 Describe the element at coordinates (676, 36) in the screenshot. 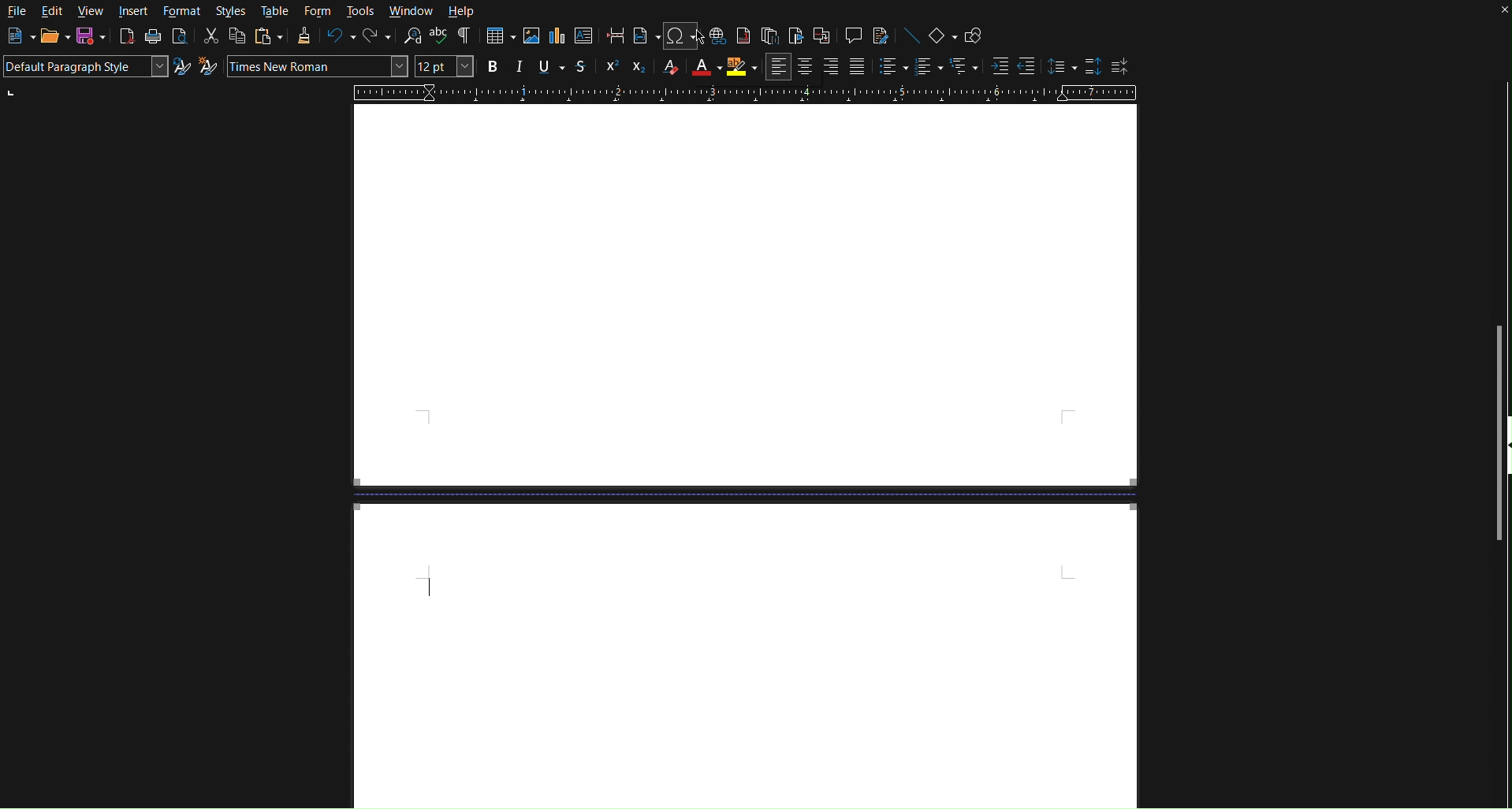

I see `Insert Special Characters` at that location.